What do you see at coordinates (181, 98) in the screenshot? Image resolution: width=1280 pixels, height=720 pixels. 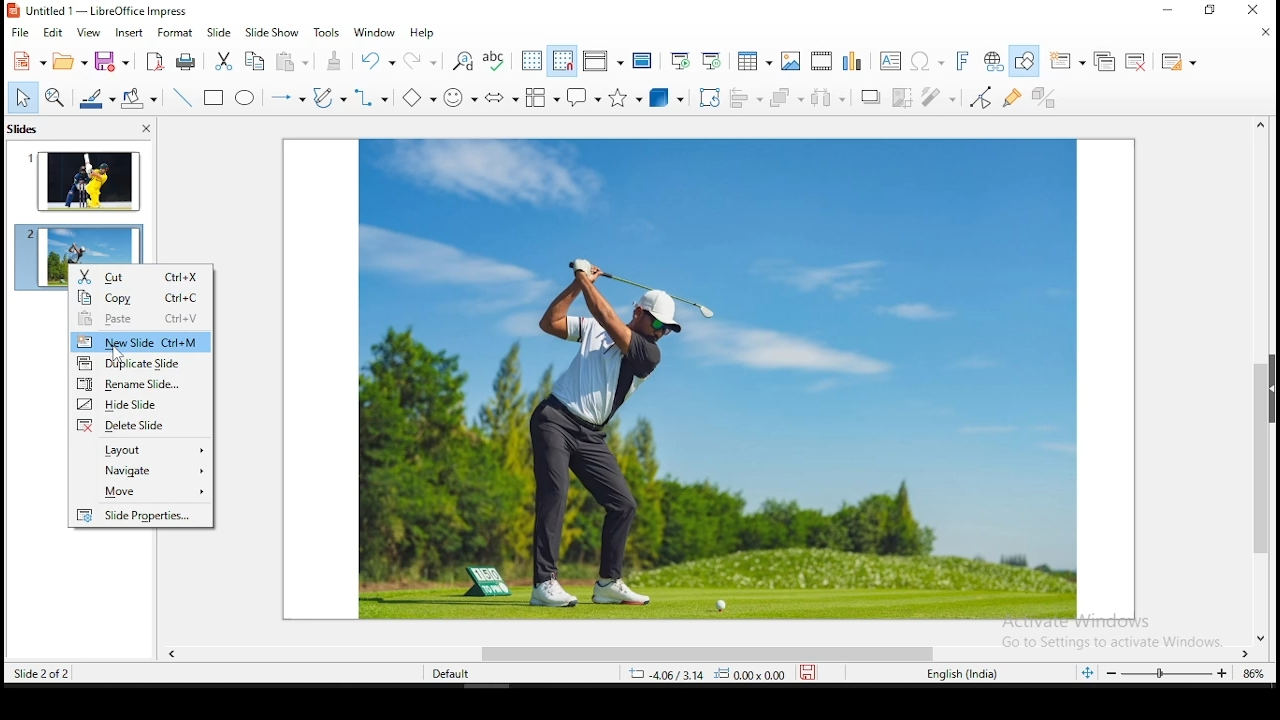 I see `line` at bounding box center [181, 98].